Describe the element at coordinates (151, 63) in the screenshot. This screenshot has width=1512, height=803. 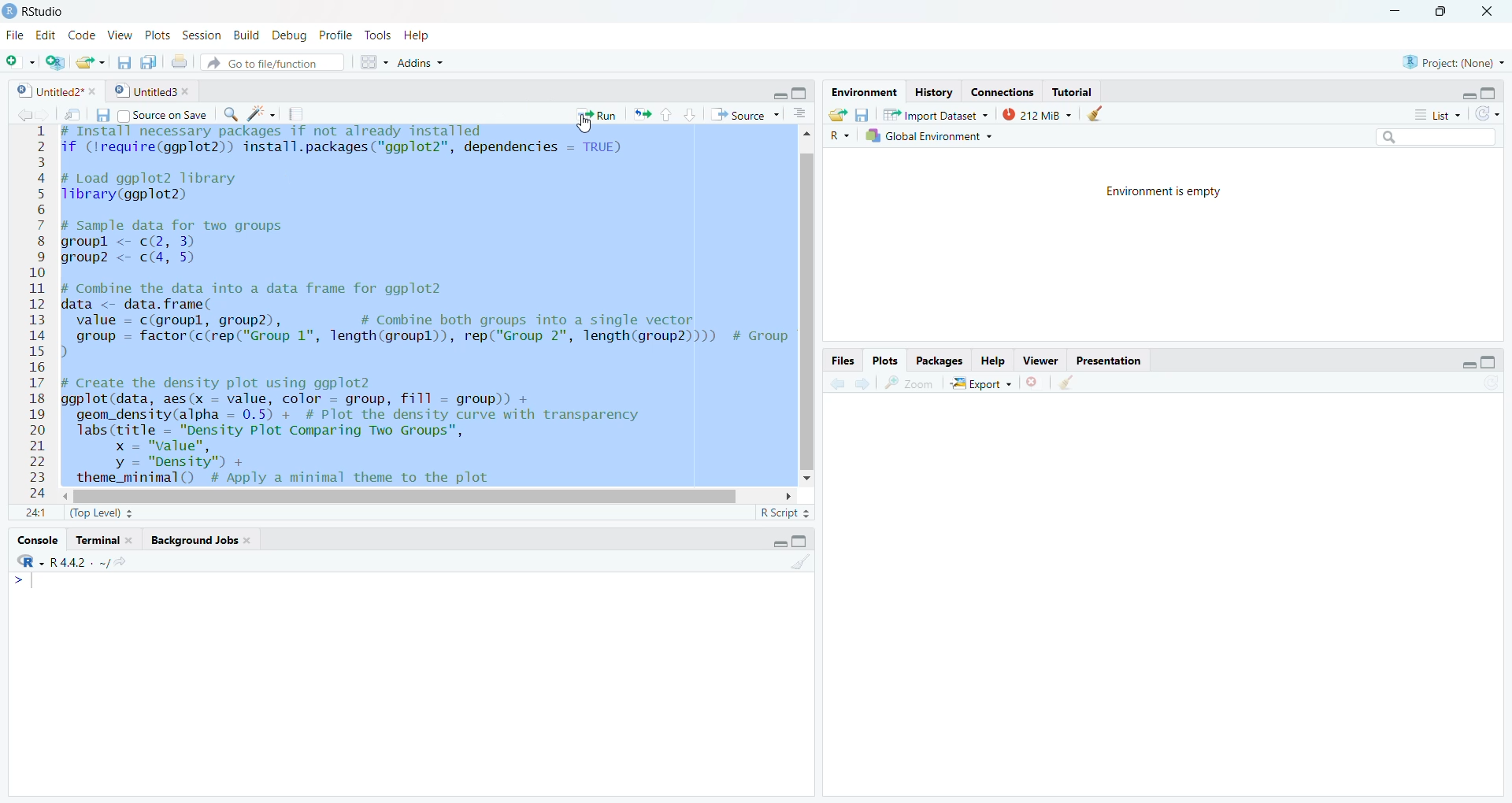
I see `save all open documents` at that location.